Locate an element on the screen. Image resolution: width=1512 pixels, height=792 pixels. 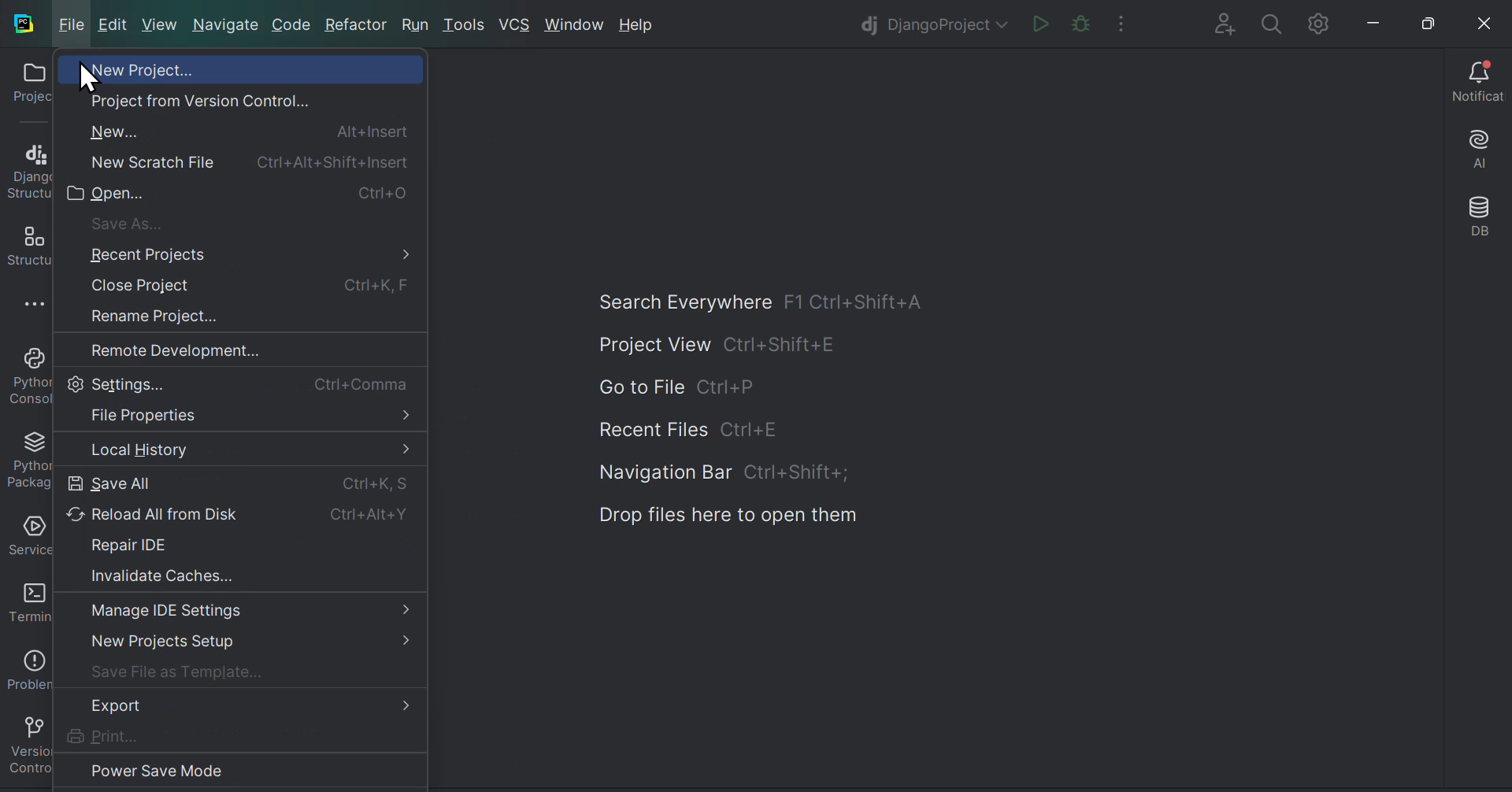
Local history is located at coordinates (248, 450).